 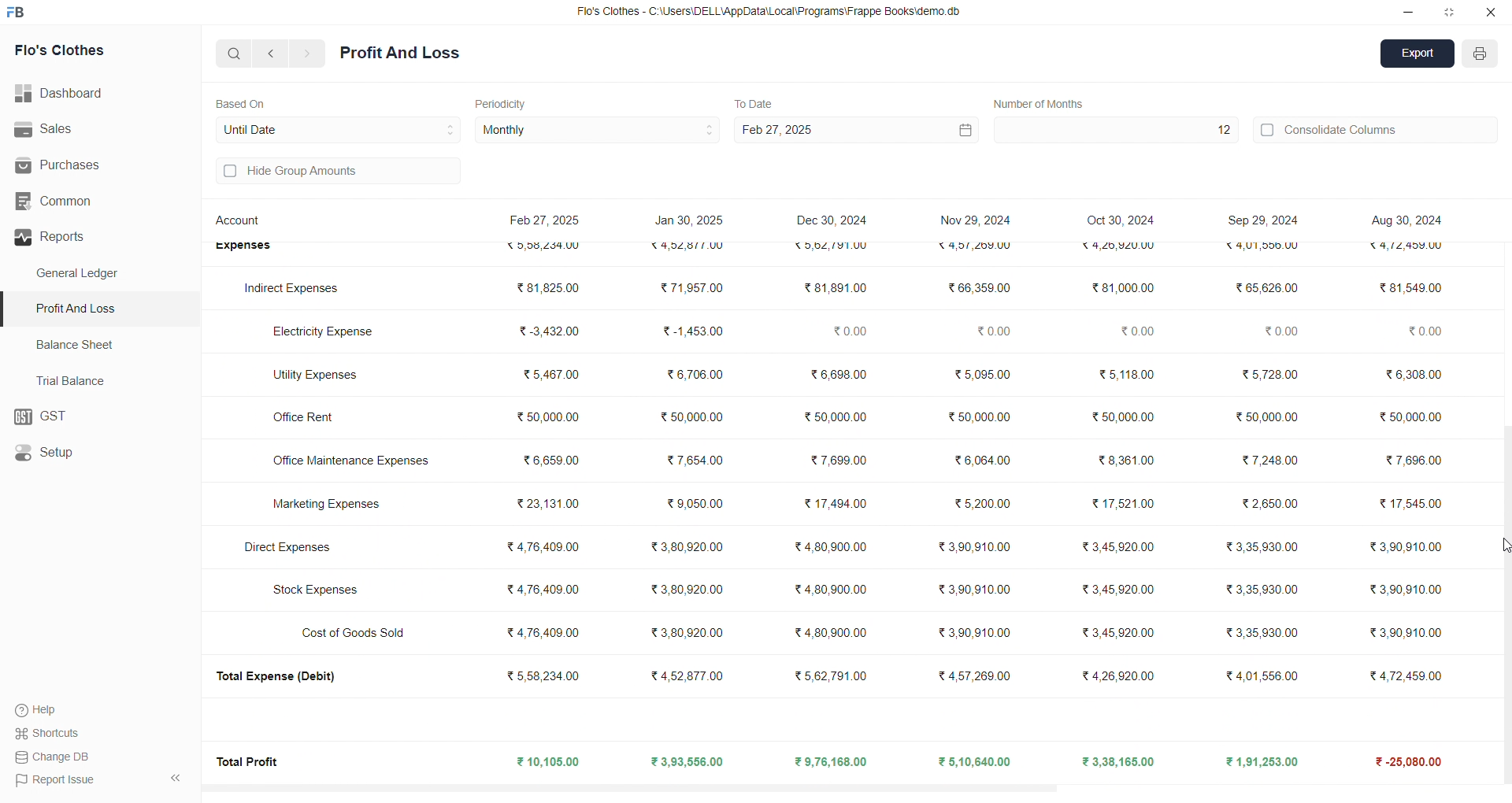 What do you see at coordinates (98, 417) in the screenshot?
I see `GST` at bounding box center [98, 417].